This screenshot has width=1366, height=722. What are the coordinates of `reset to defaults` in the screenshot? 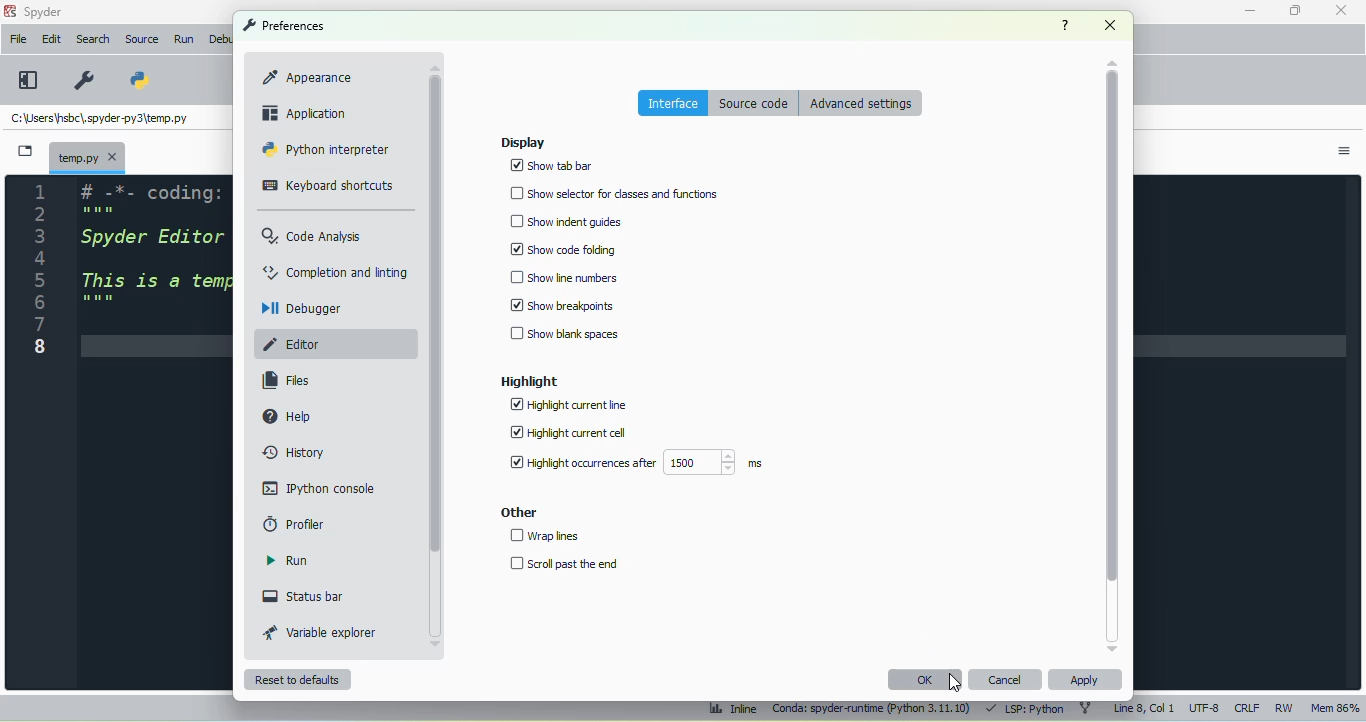 It's located at (299, 680).